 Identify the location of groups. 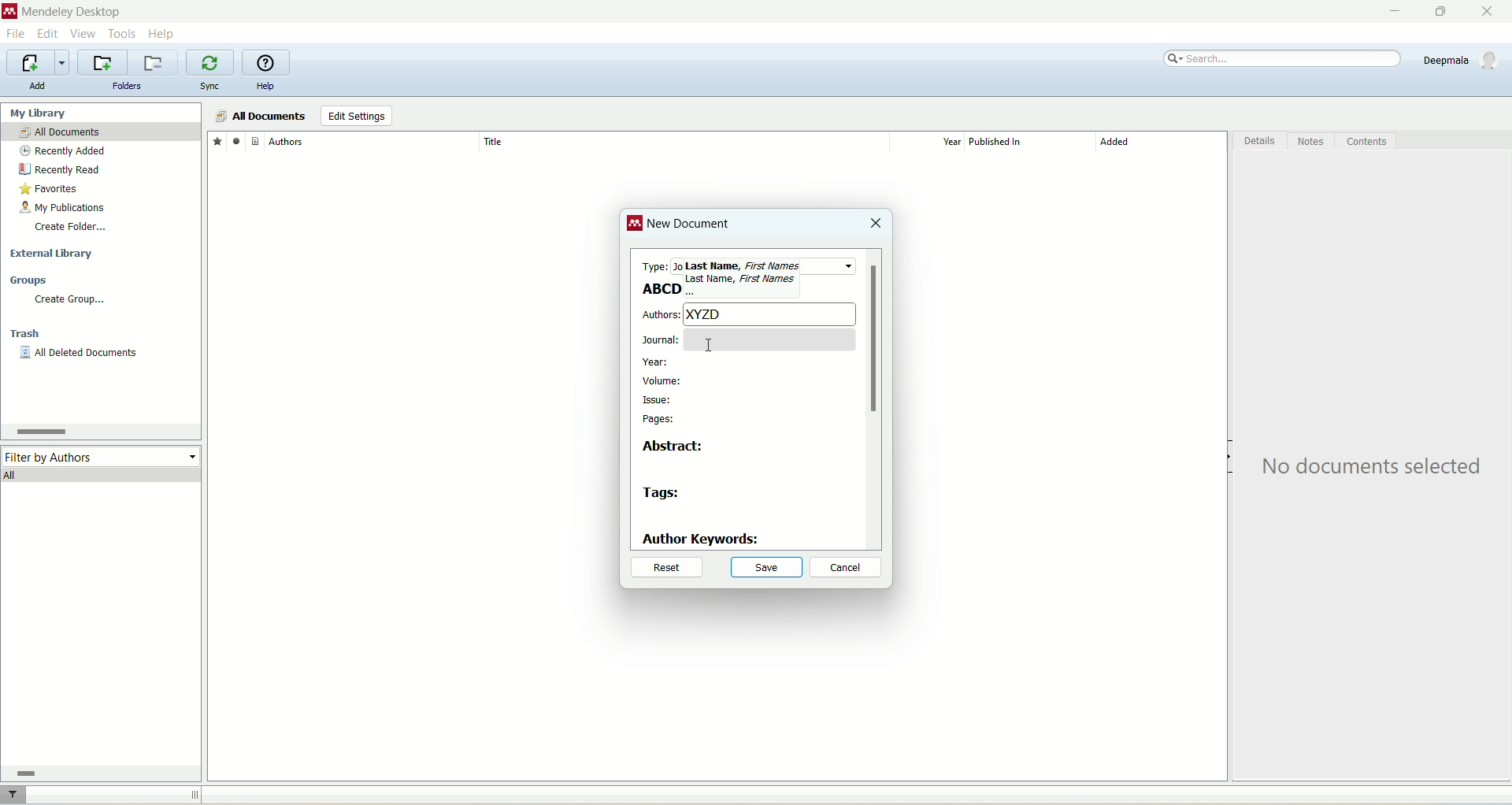
(30, 281).